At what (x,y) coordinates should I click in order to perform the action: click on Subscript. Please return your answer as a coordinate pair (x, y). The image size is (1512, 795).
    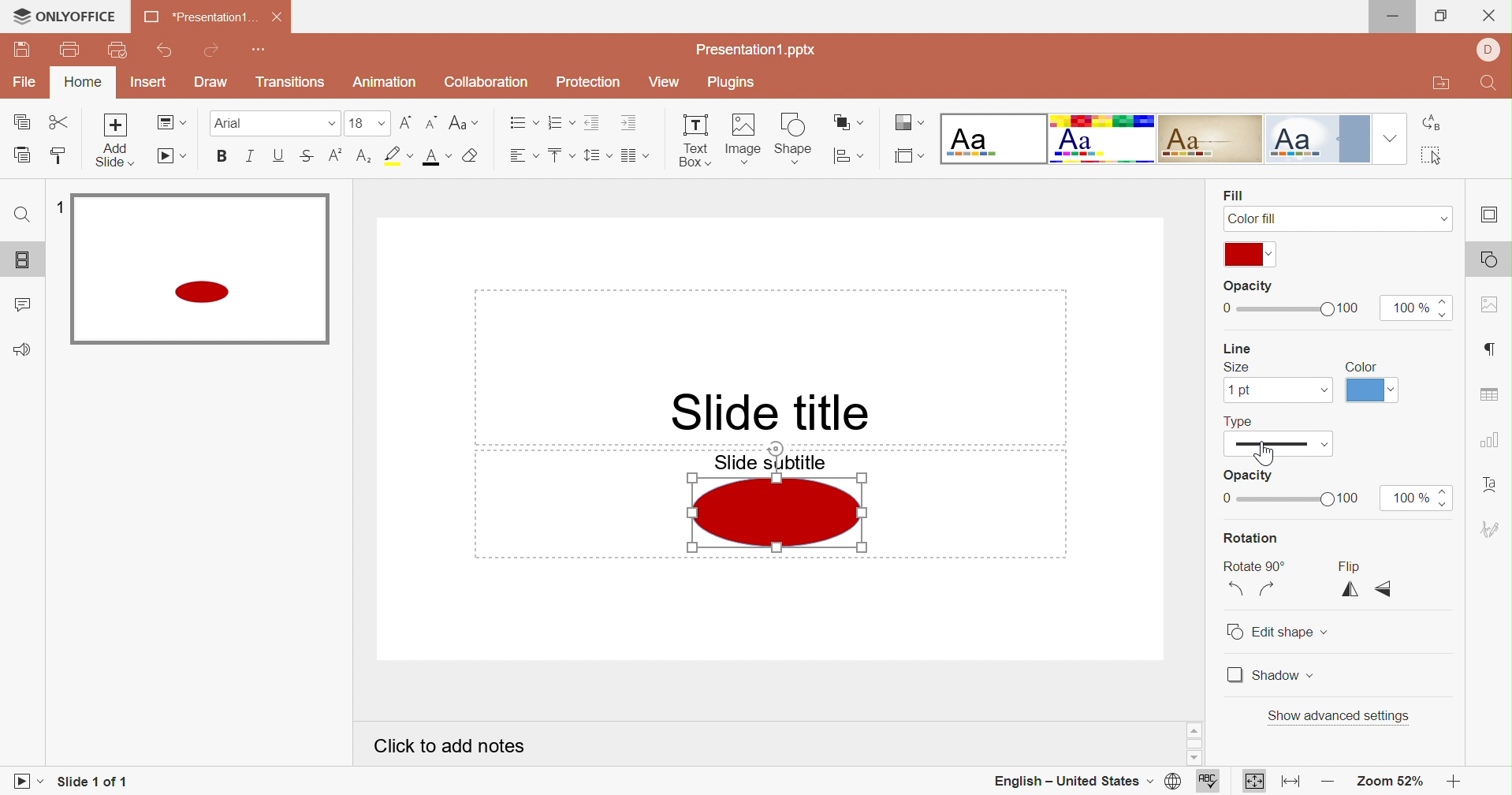
    Looking at the image, I should click on (364, 156).